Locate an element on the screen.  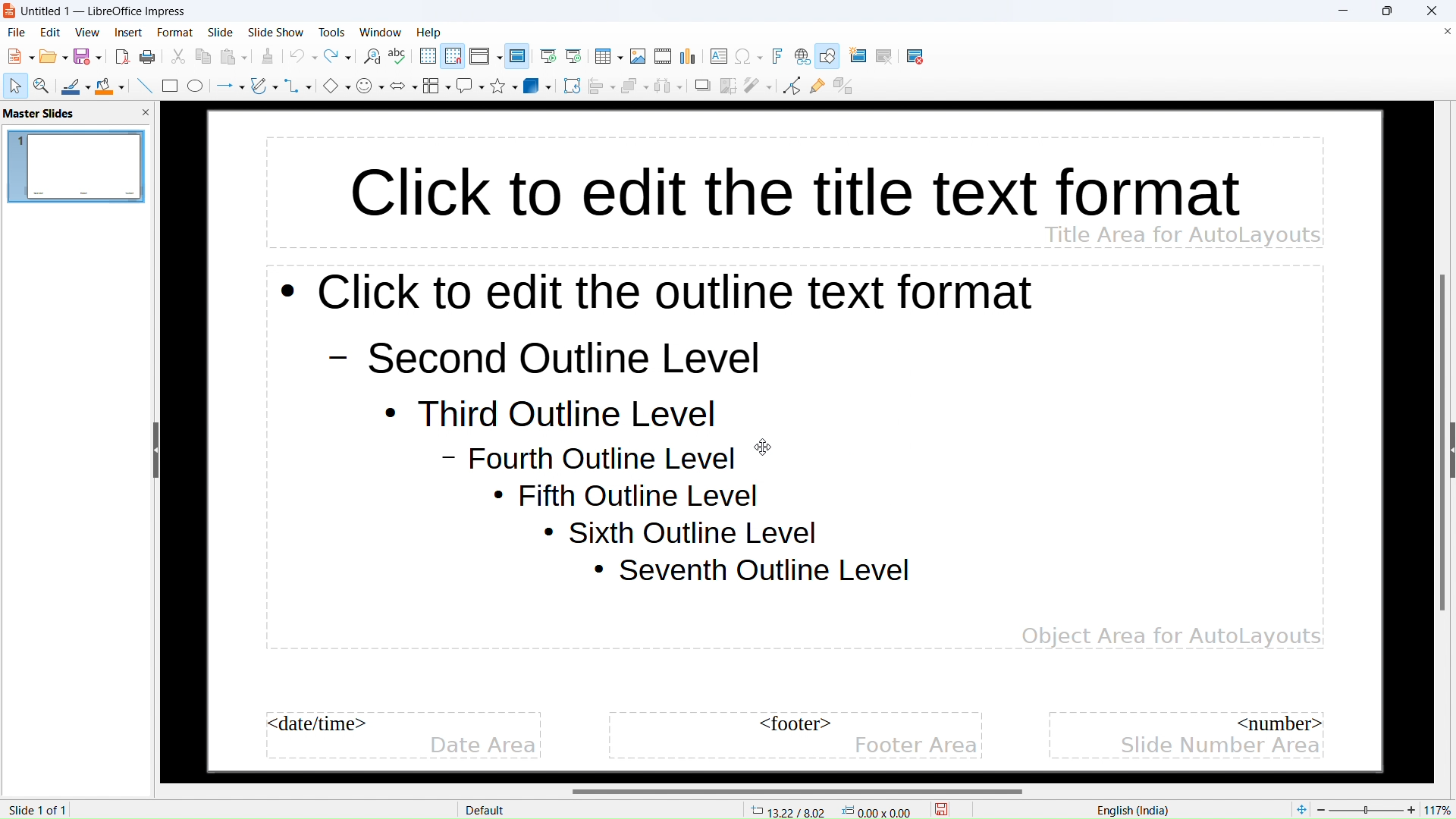
cut is located at coordinates (178, 57).